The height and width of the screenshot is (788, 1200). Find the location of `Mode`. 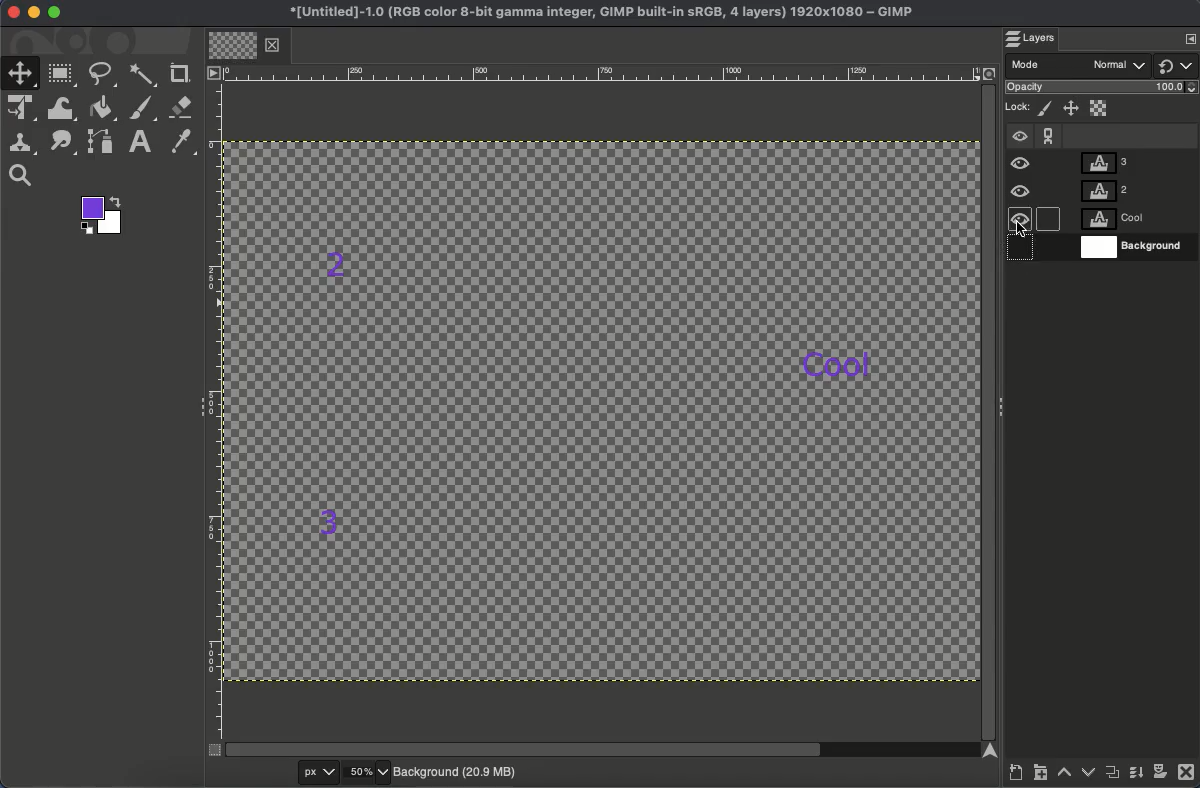

Mode is located at coordinates (1080, 66).